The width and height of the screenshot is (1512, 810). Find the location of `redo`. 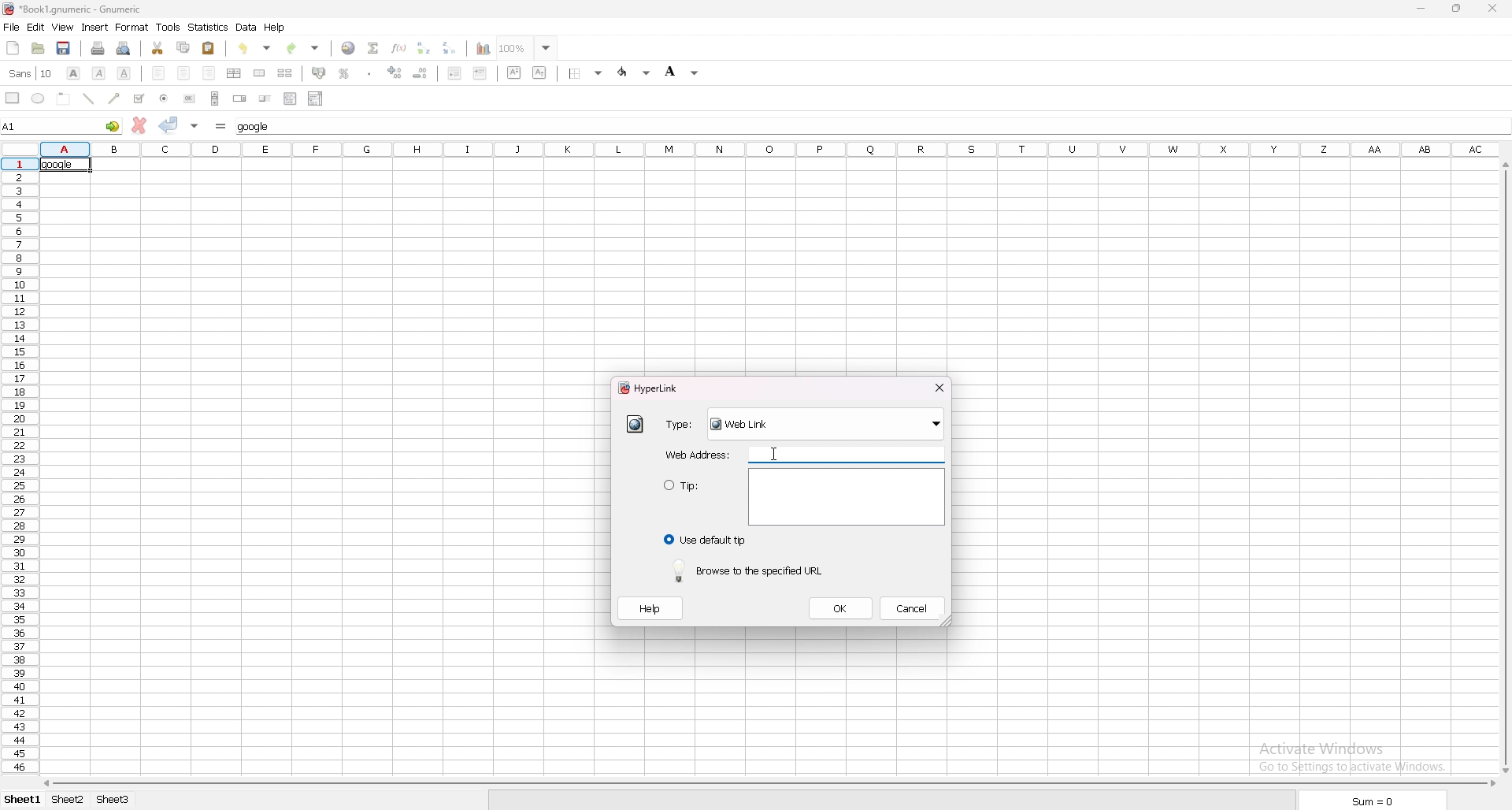

redo is located at coordinates (304, 48).